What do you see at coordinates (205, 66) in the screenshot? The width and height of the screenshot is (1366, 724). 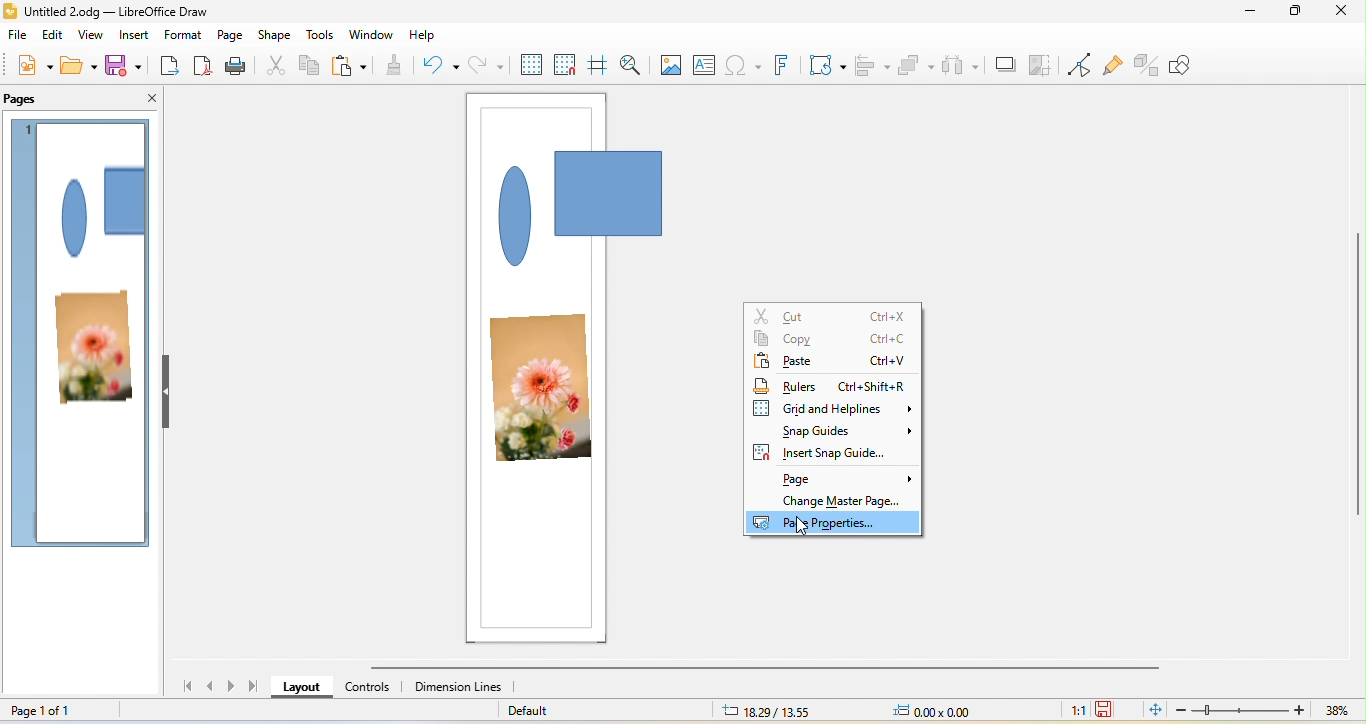 I see `export direct as pdf` at bounding box center [205, 66].